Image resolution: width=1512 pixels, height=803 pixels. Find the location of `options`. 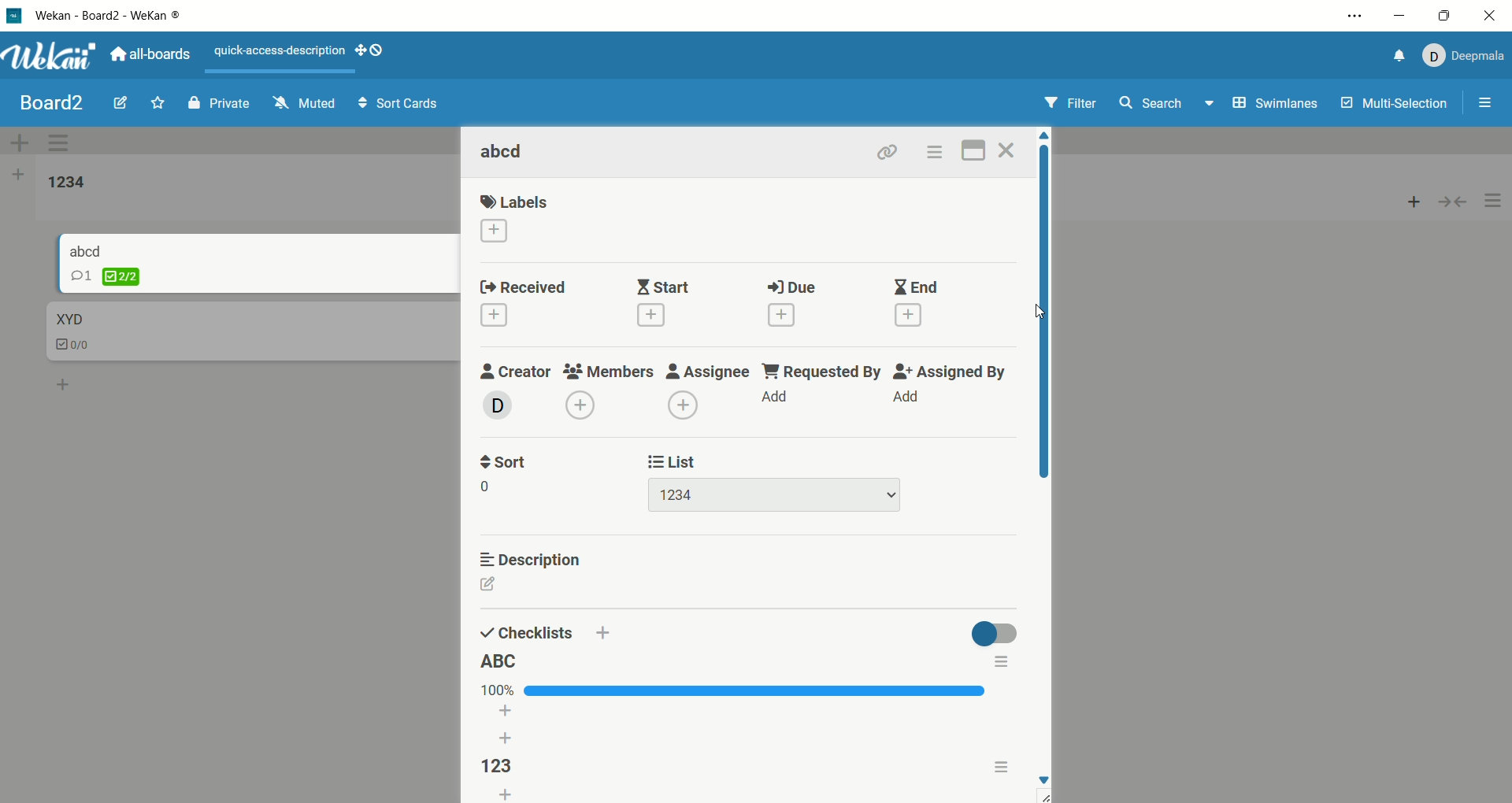

options is located at coordinates (999, 664).